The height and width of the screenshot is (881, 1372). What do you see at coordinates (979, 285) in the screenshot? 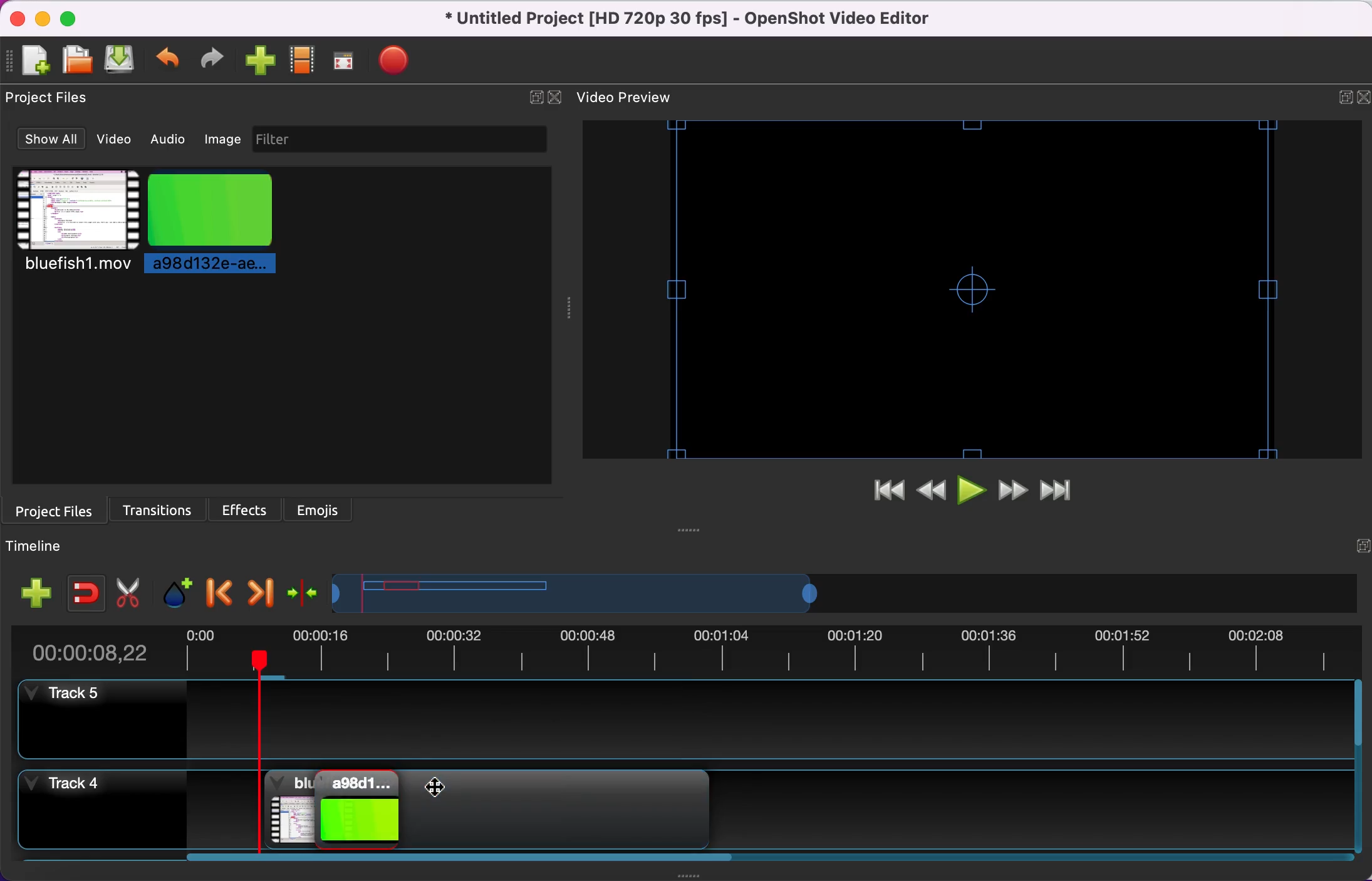
I see `video preview` at bounding box center [979, 285].